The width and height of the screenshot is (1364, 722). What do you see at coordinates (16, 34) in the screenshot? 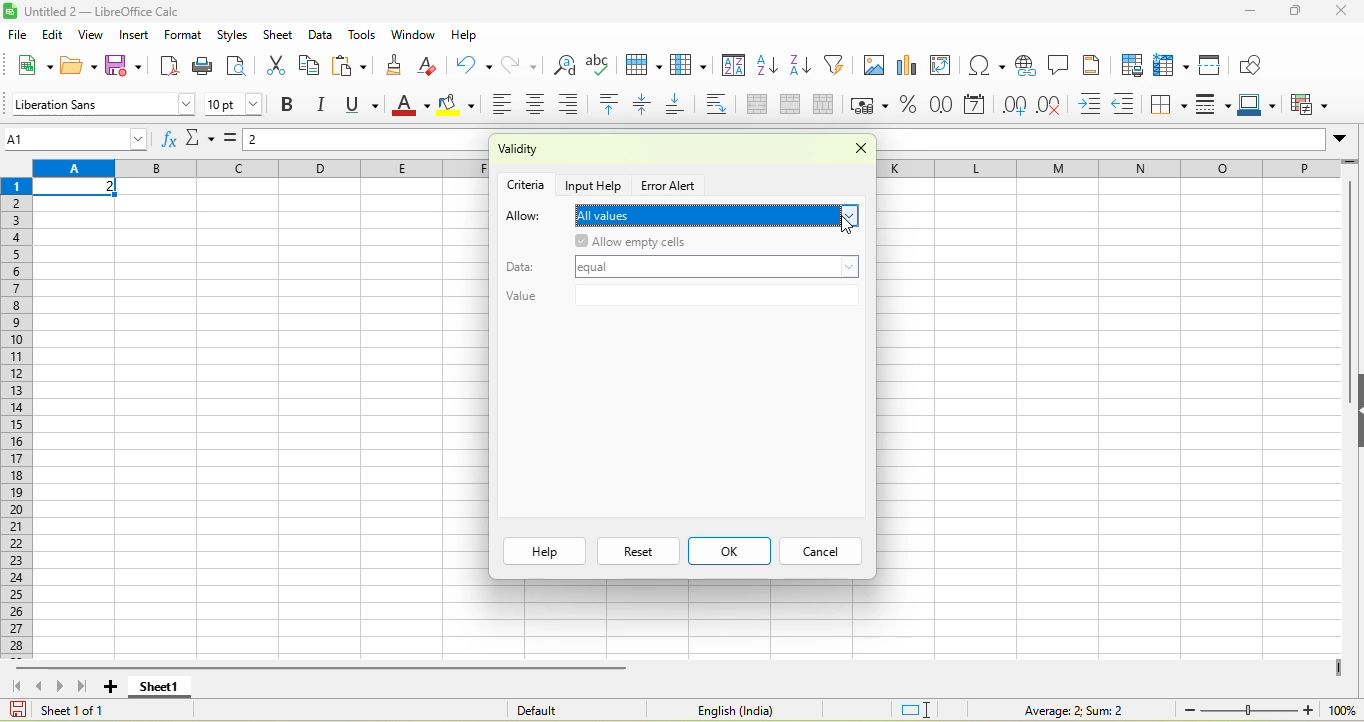
I see `file` at bounding box center [16, 34].